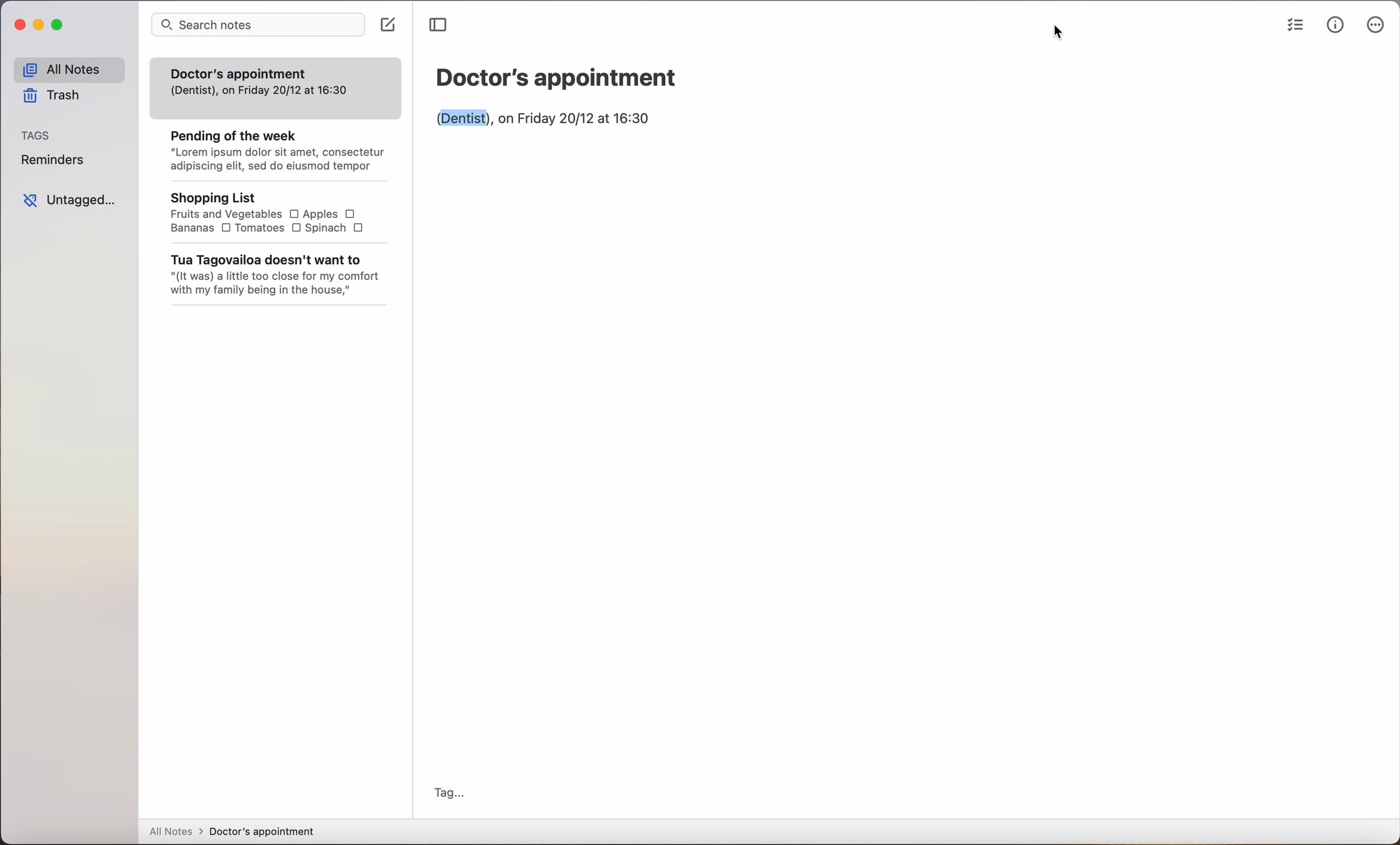 The width and height of the screenshot is (1400, 845). Describe the element at coordinates (39, 25) in the screenshot. I see `minimize` at that location.